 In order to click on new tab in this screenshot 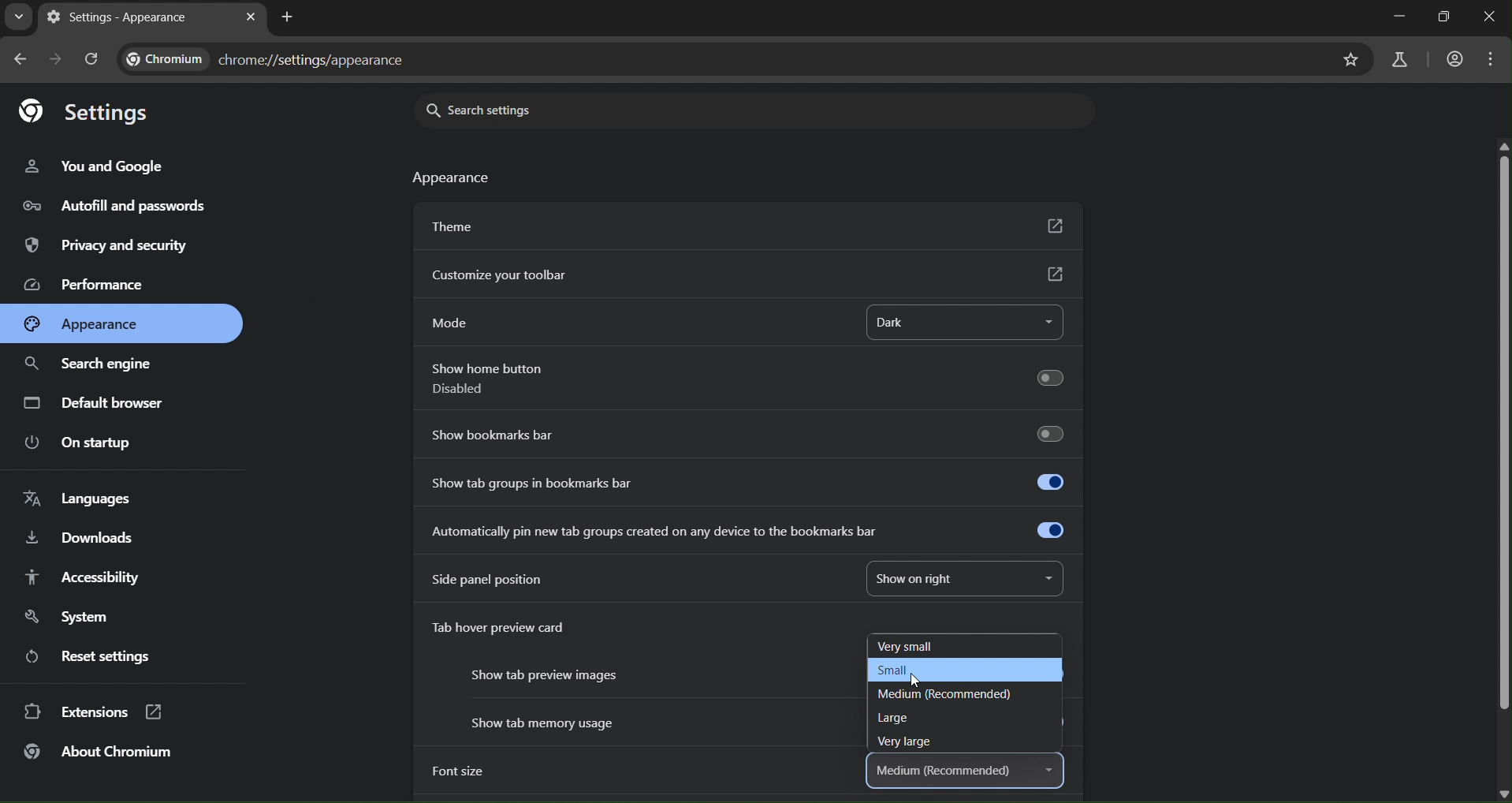, I will do `click(286, 20)`.